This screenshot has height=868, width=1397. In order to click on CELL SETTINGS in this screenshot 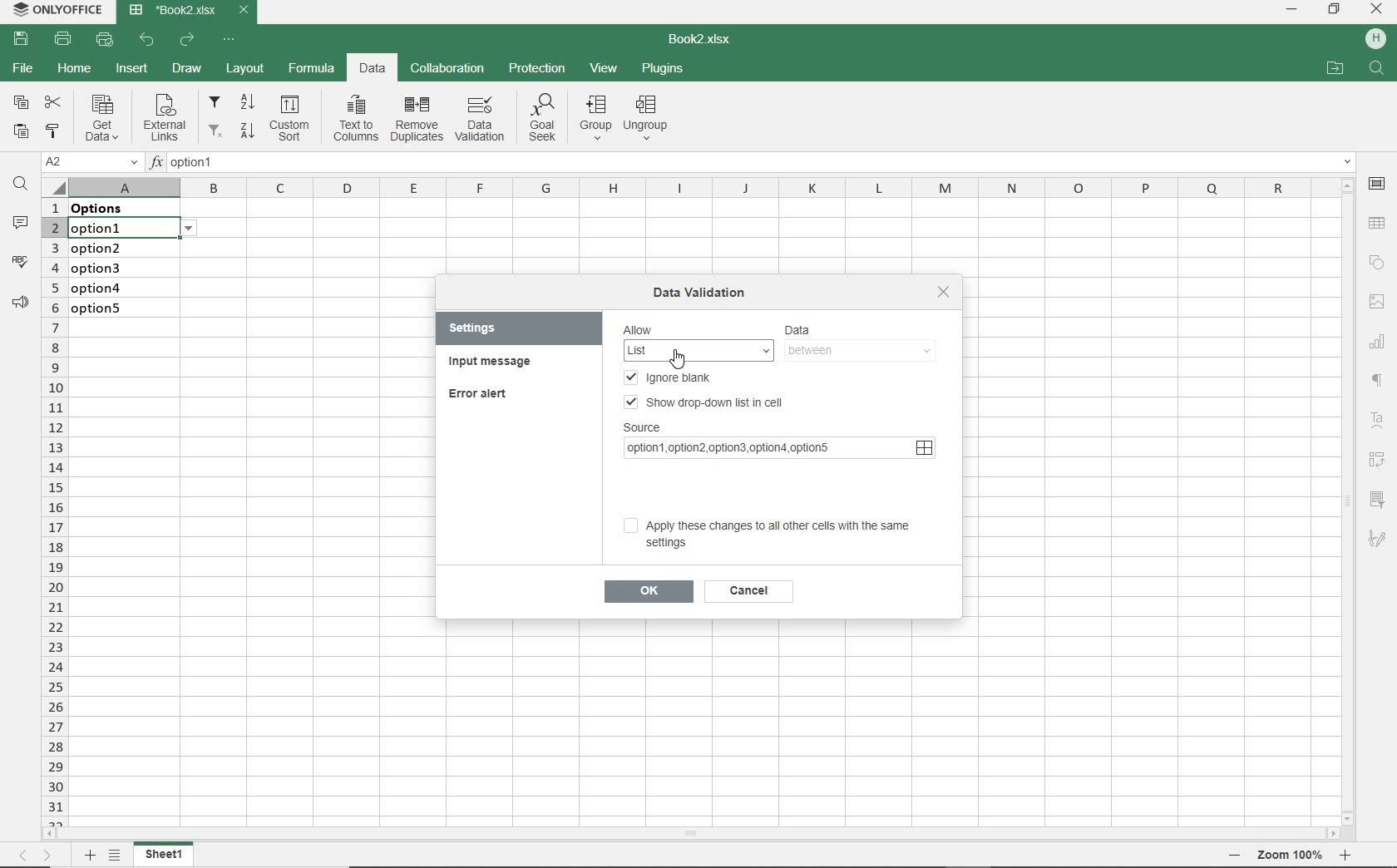, I will do `click(1377, 185)`.